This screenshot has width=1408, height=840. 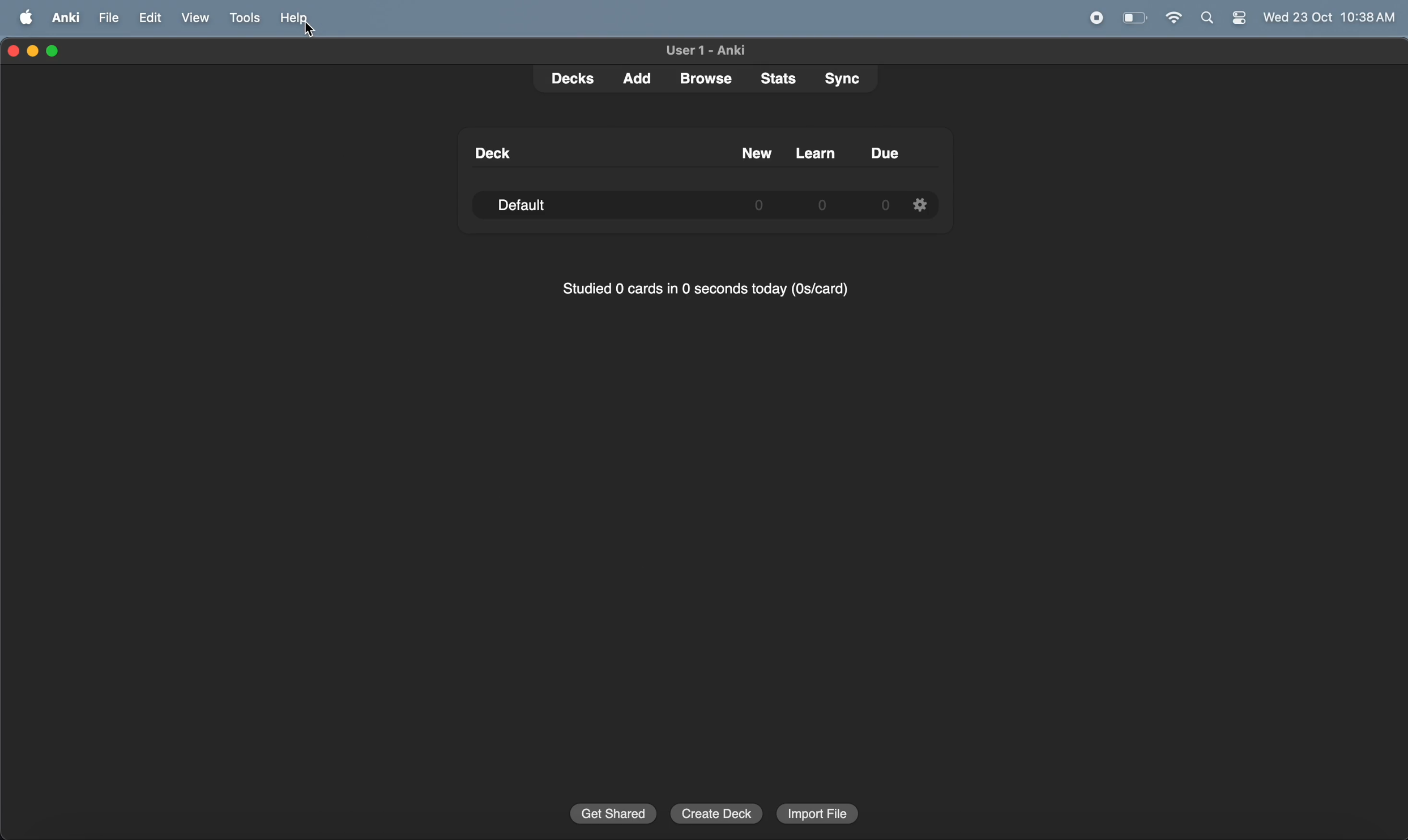 What do you see at coordinates (1170, 19) in the screenshot?
I see `wifi` at bounding box center [1170, 19].